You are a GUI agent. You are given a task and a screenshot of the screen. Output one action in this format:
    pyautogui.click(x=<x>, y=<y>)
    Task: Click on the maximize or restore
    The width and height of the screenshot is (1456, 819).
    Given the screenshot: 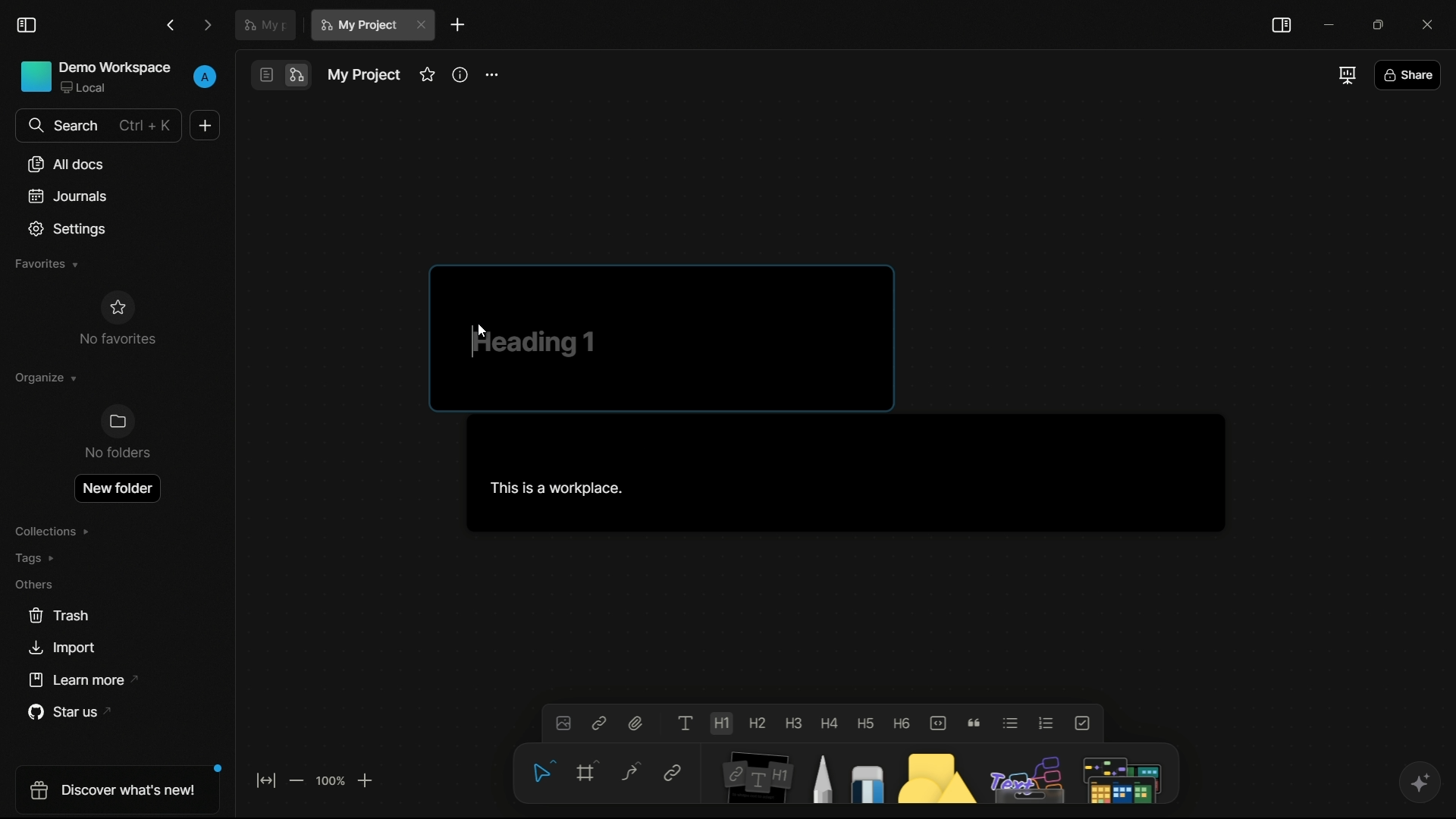 What is the action you would take?
    pyautogui.click(x=1380, y=24)
    